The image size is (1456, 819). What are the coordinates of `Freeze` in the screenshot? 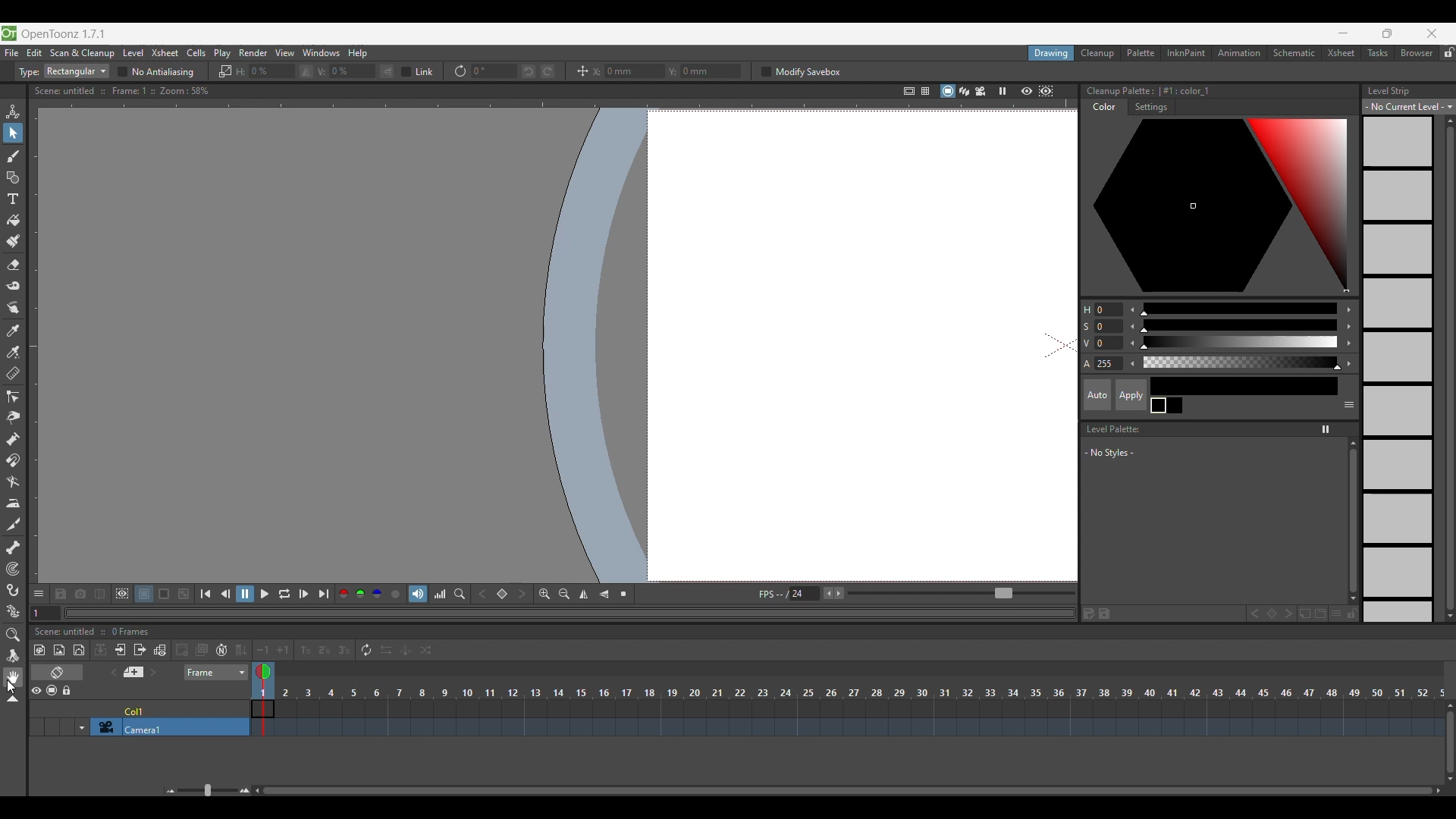 It's located at (1326, 429).